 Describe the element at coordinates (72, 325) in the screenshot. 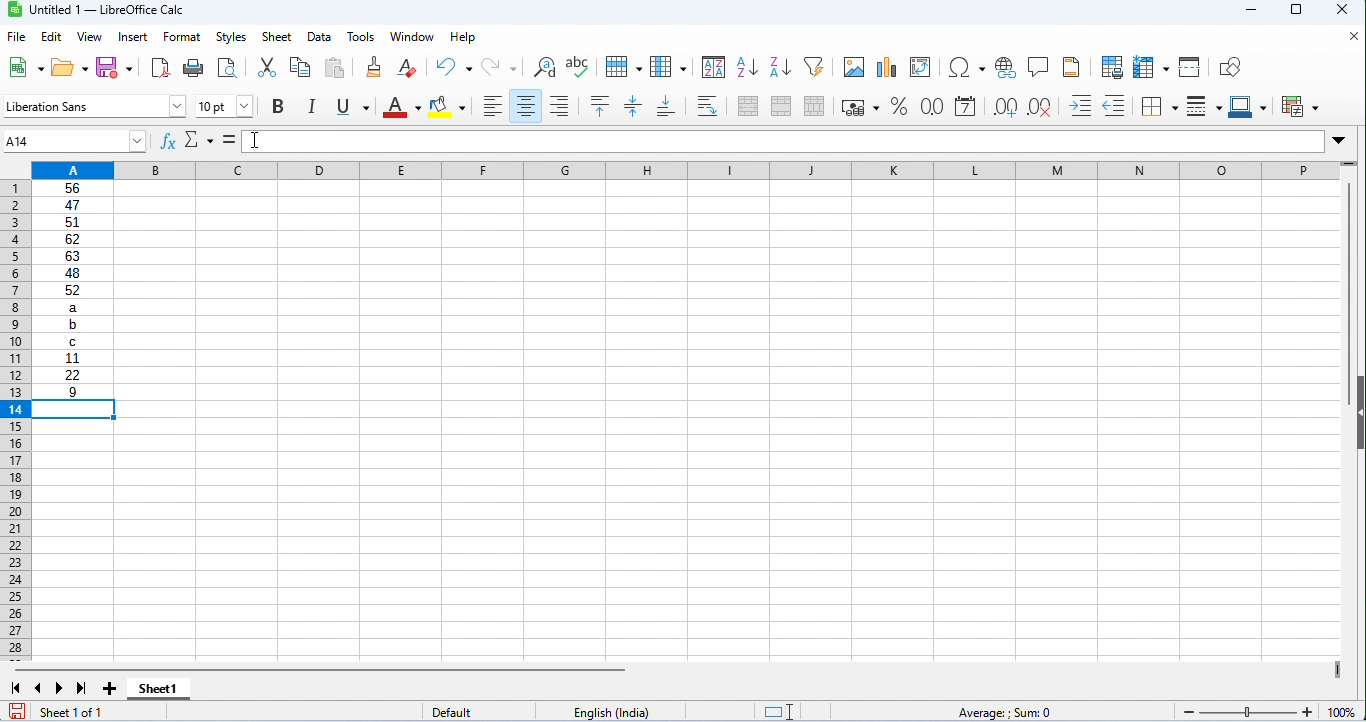

I see `b` at that location.